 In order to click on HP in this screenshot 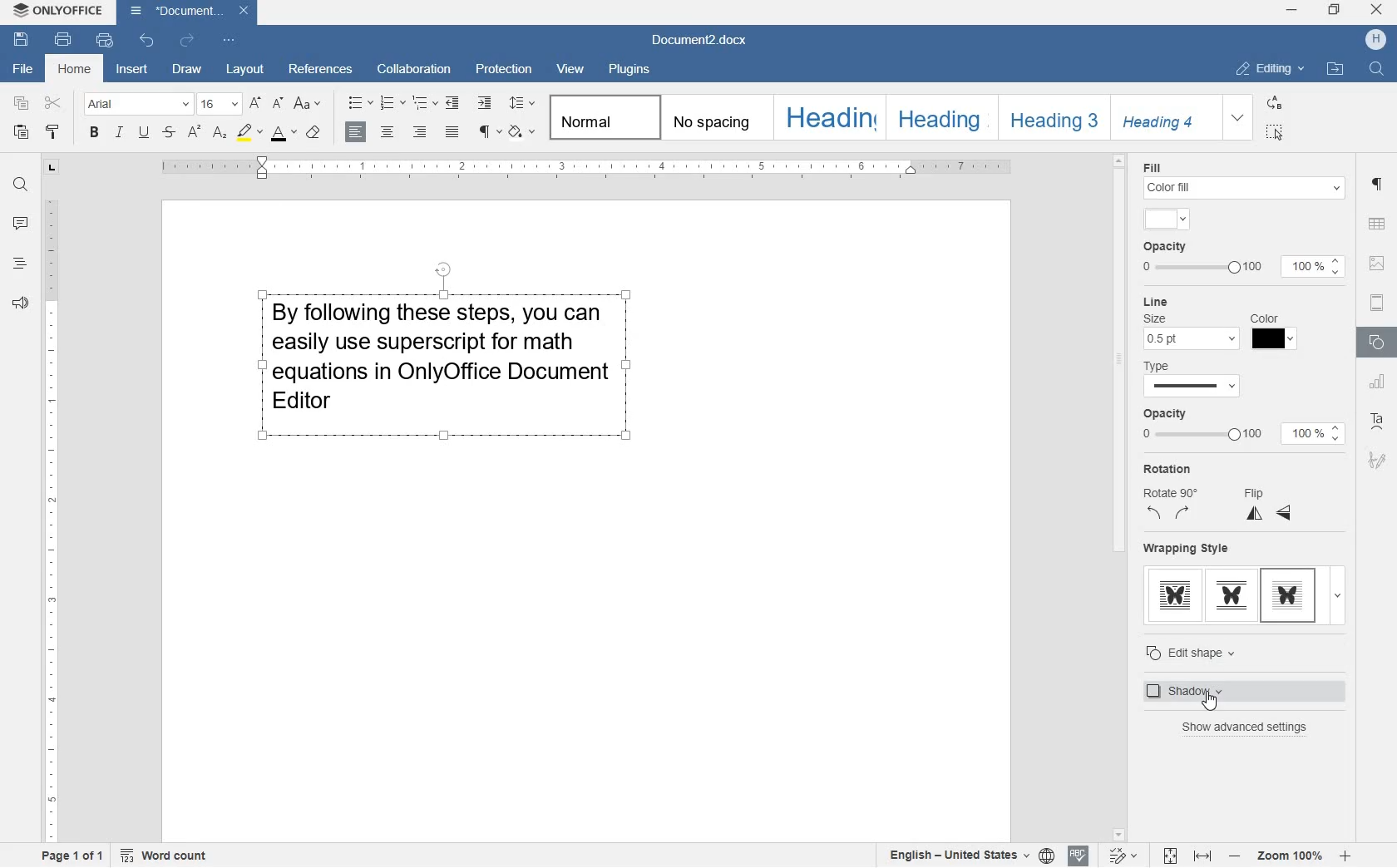, I will do `click(1375, 38)`.